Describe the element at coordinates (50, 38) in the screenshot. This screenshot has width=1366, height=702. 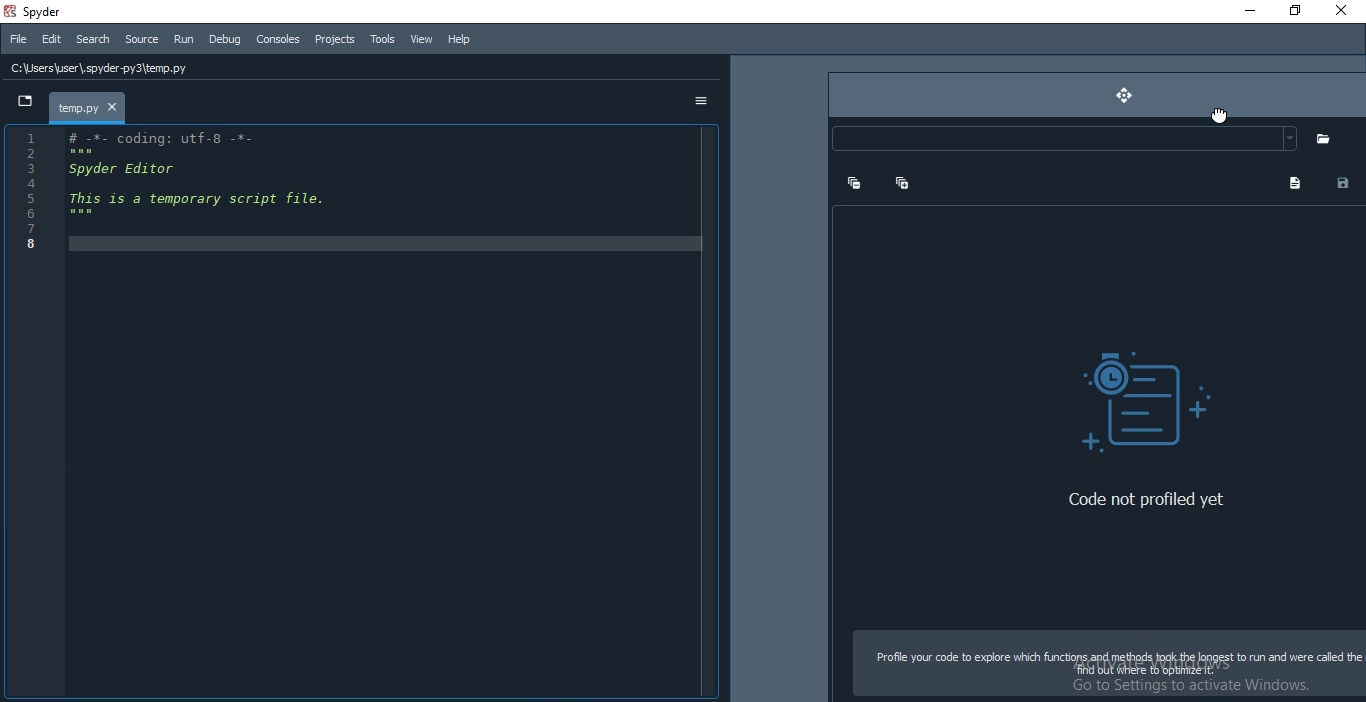
I see `Edit` at that location.